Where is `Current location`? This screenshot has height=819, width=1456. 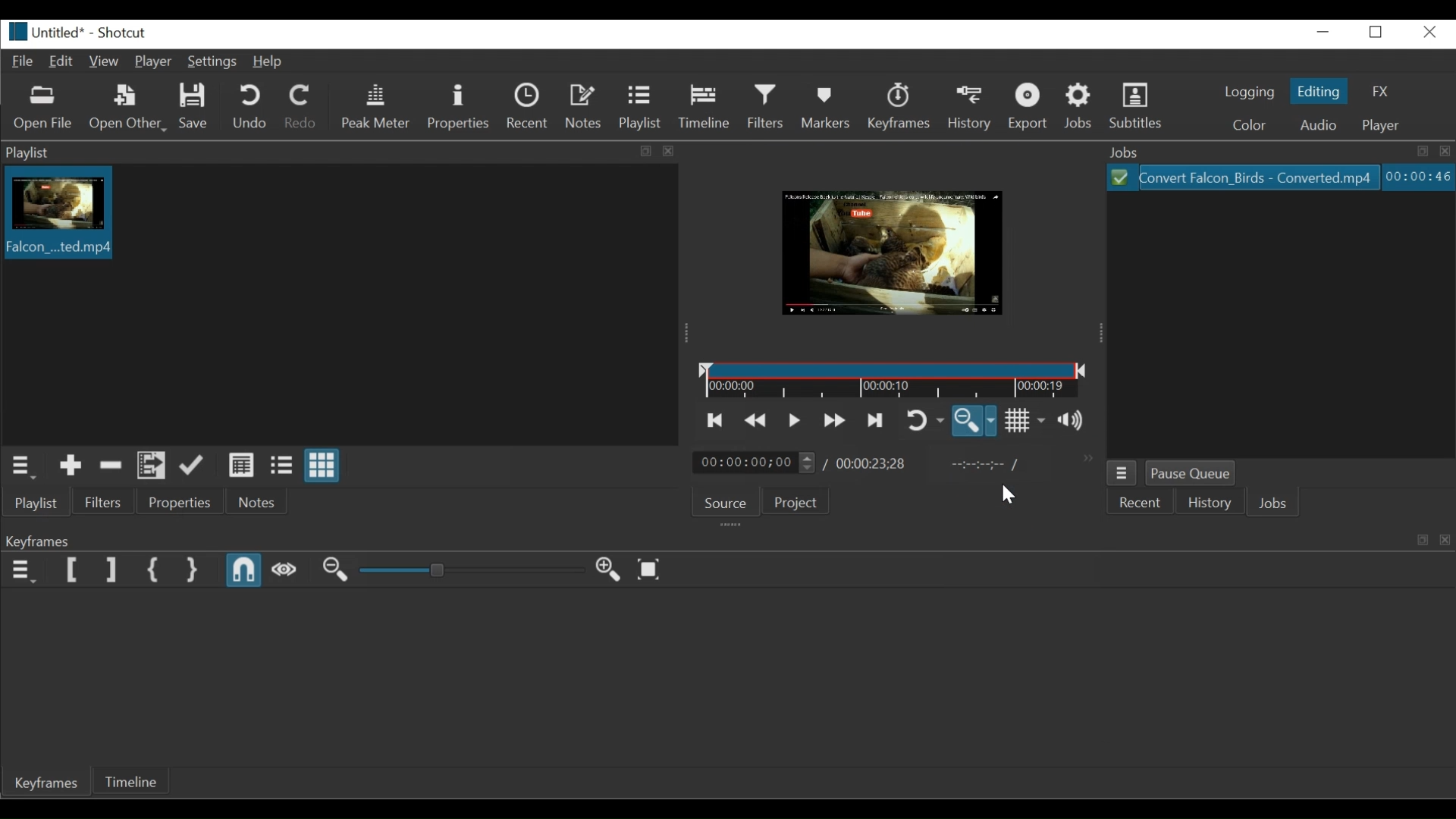 Current location is located at coordinates (754, 462).